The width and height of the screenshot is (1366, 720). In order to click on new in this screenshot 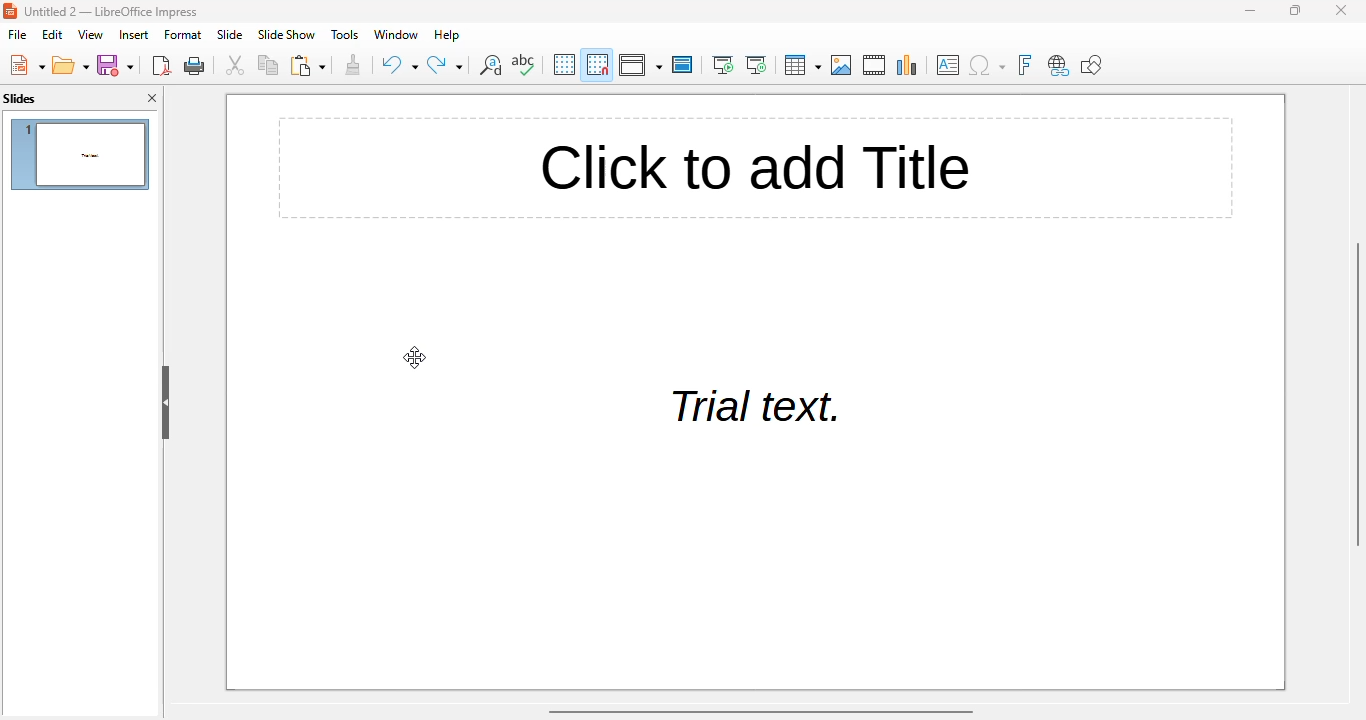, I will do `click(26, 64)`.